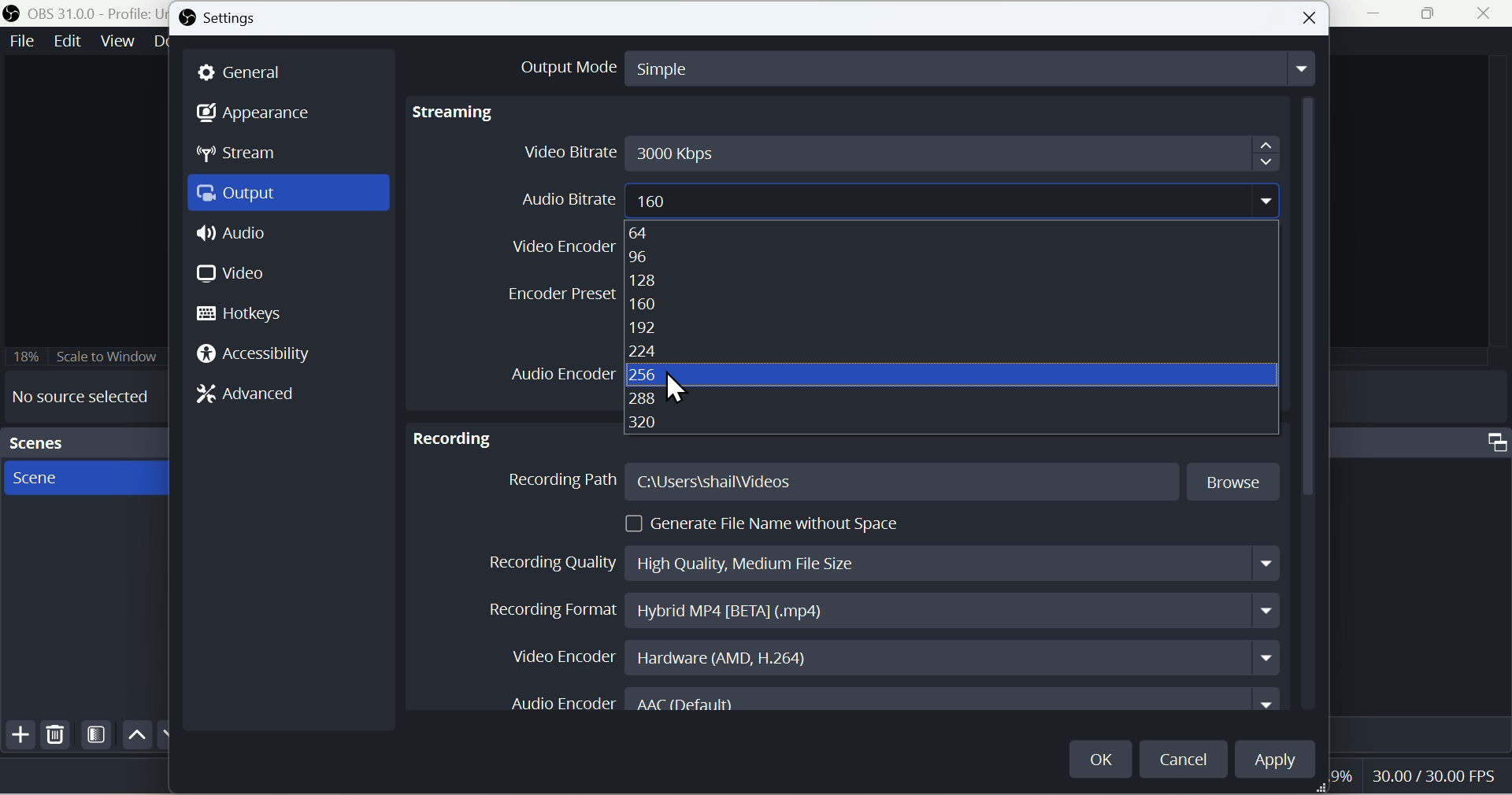 This screenshot has width=1512, height=795. What do you see at coordinates (66, 43) in the screenshot?
I see `Edit` at bounding box center [66, 43].